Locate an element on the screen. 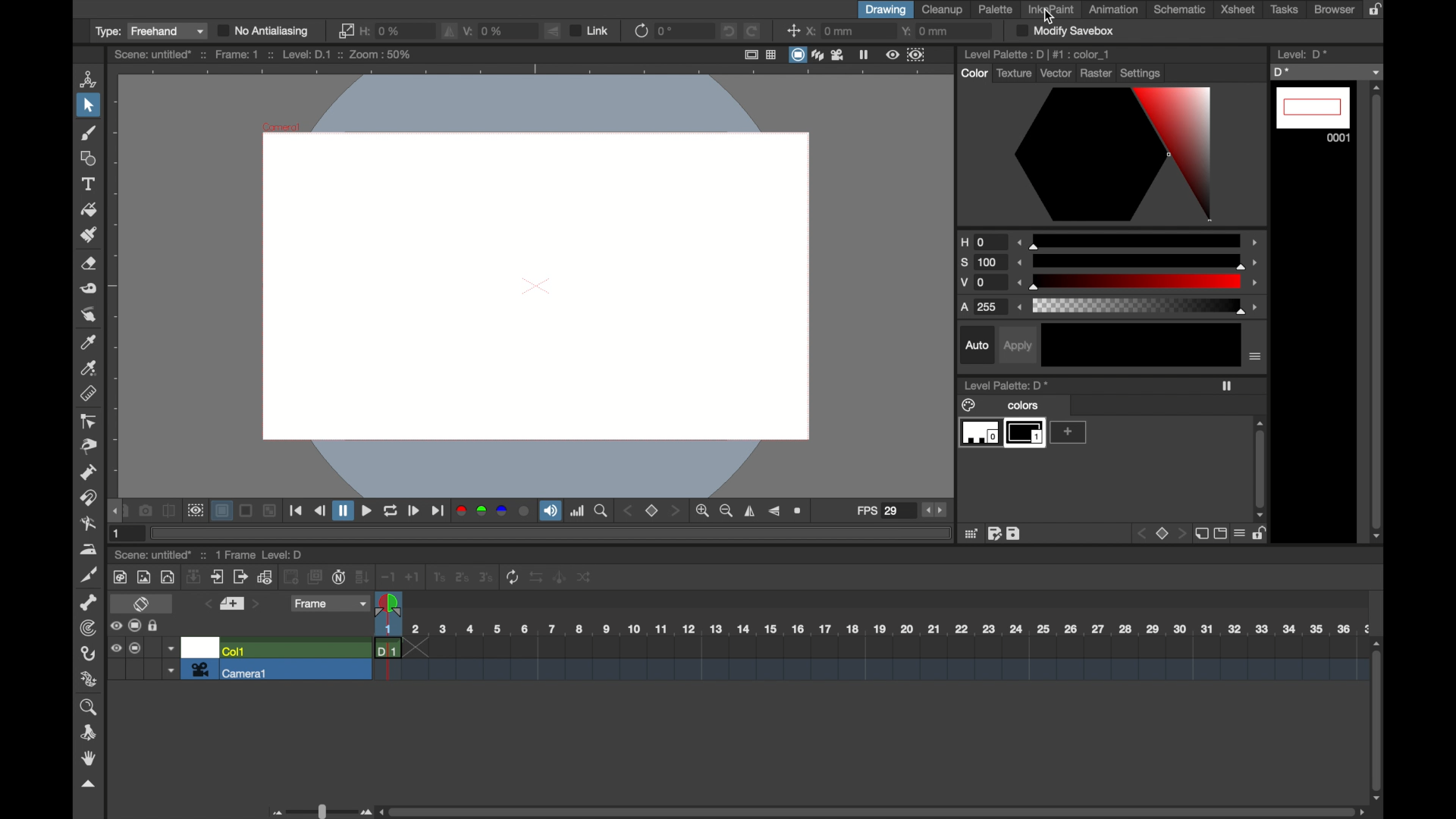  refresh is located at coordinates (641, 30).